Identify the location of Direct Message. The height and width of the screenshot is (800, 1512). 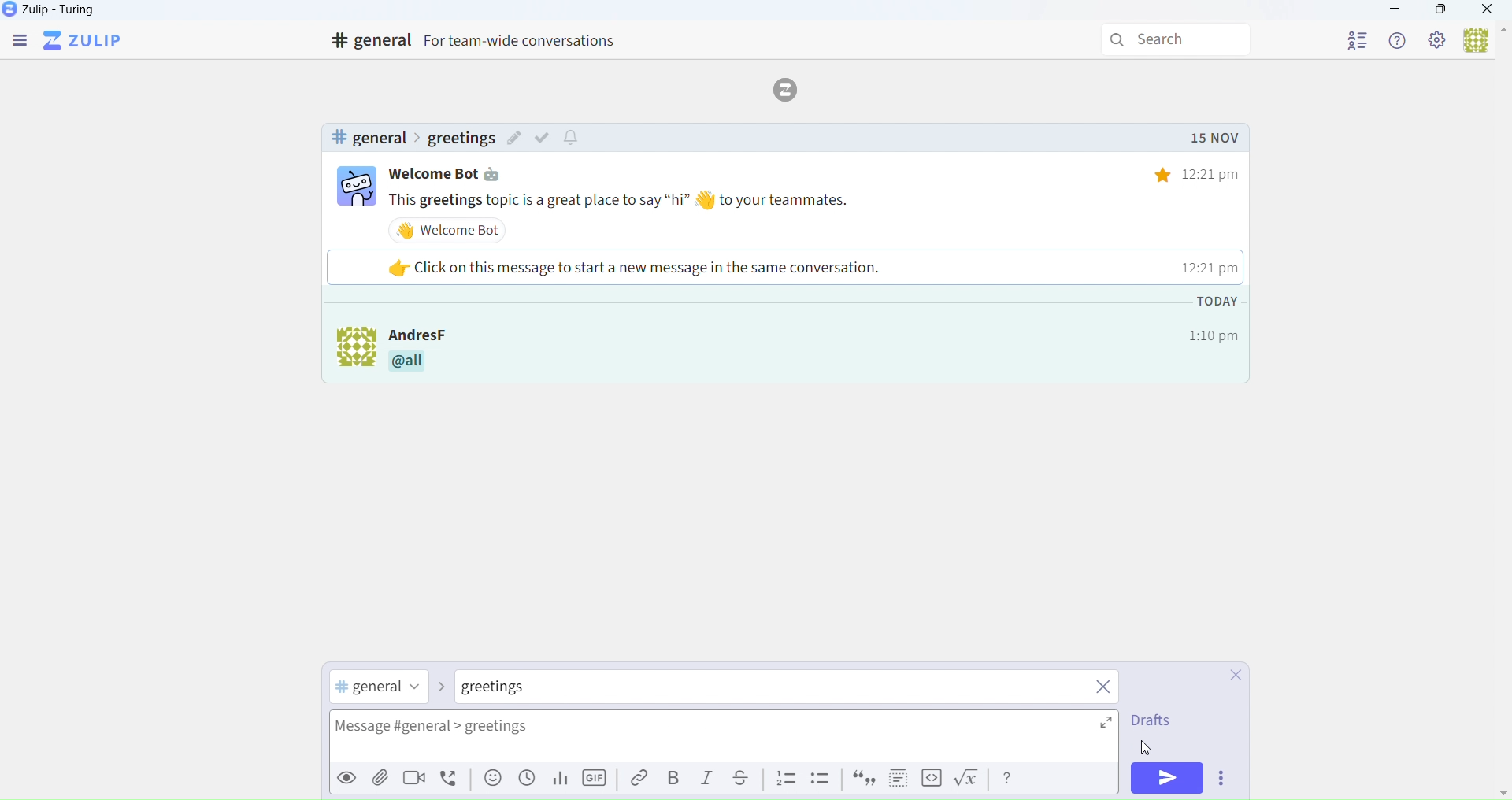
(513, 689).